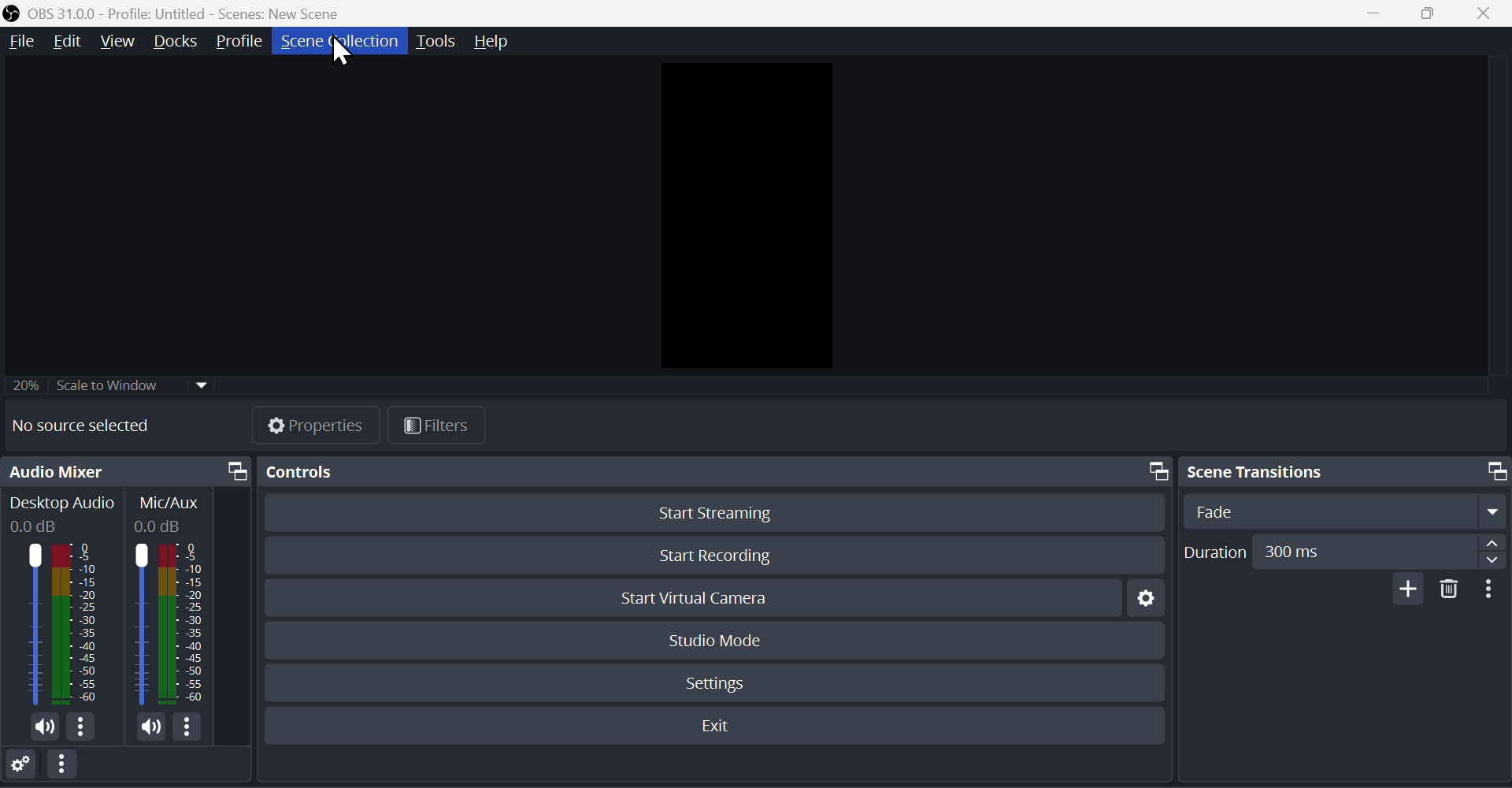 The width and height of the screenshot is (1512, 788). What do you see at coordinates (25, 767) in the screenshot?
I see `Settings` at bounding box center [25, 767].